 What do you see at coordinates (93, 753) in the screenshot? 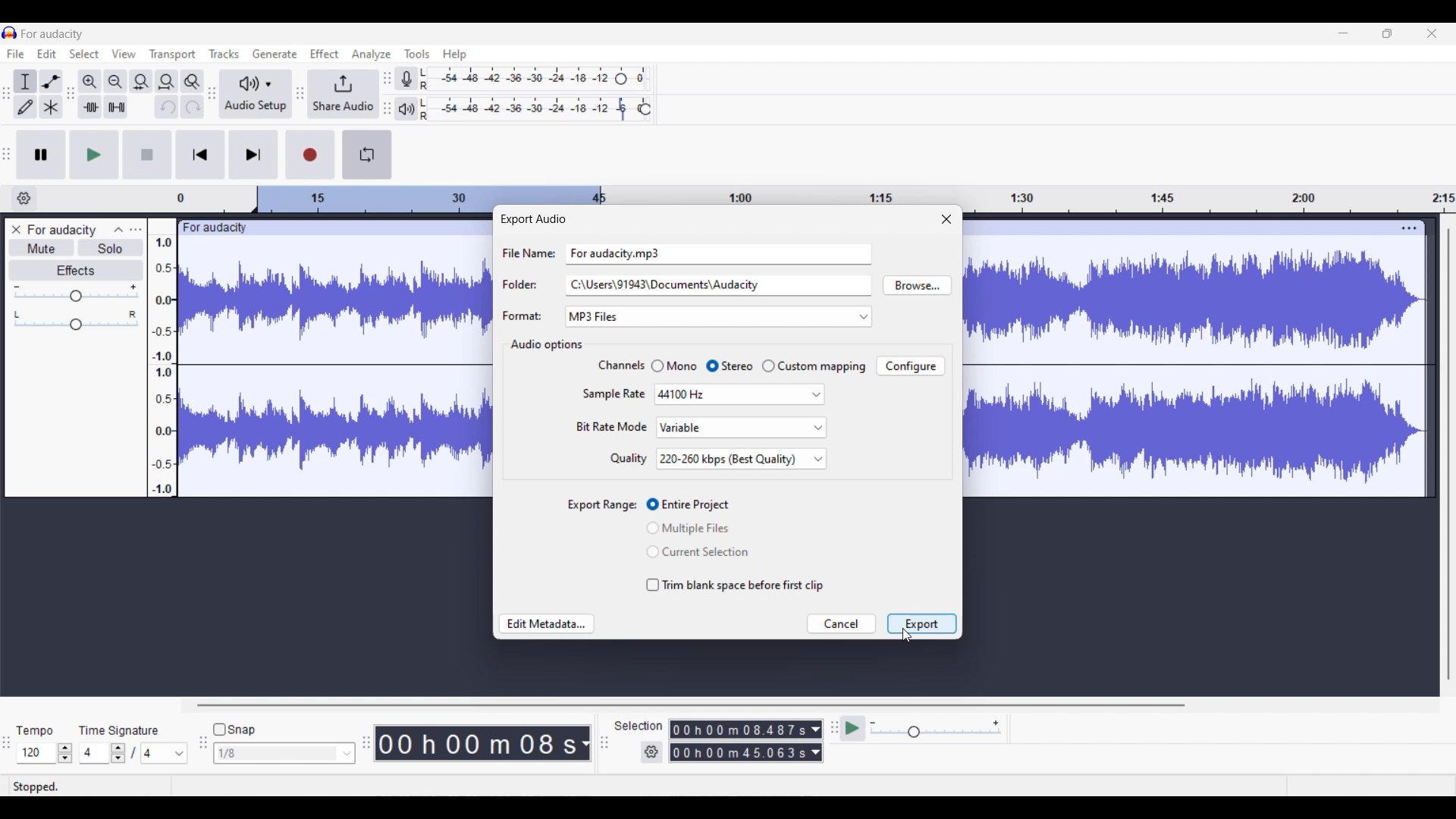
I see `Input time signature` at bounding box center [93, 753].